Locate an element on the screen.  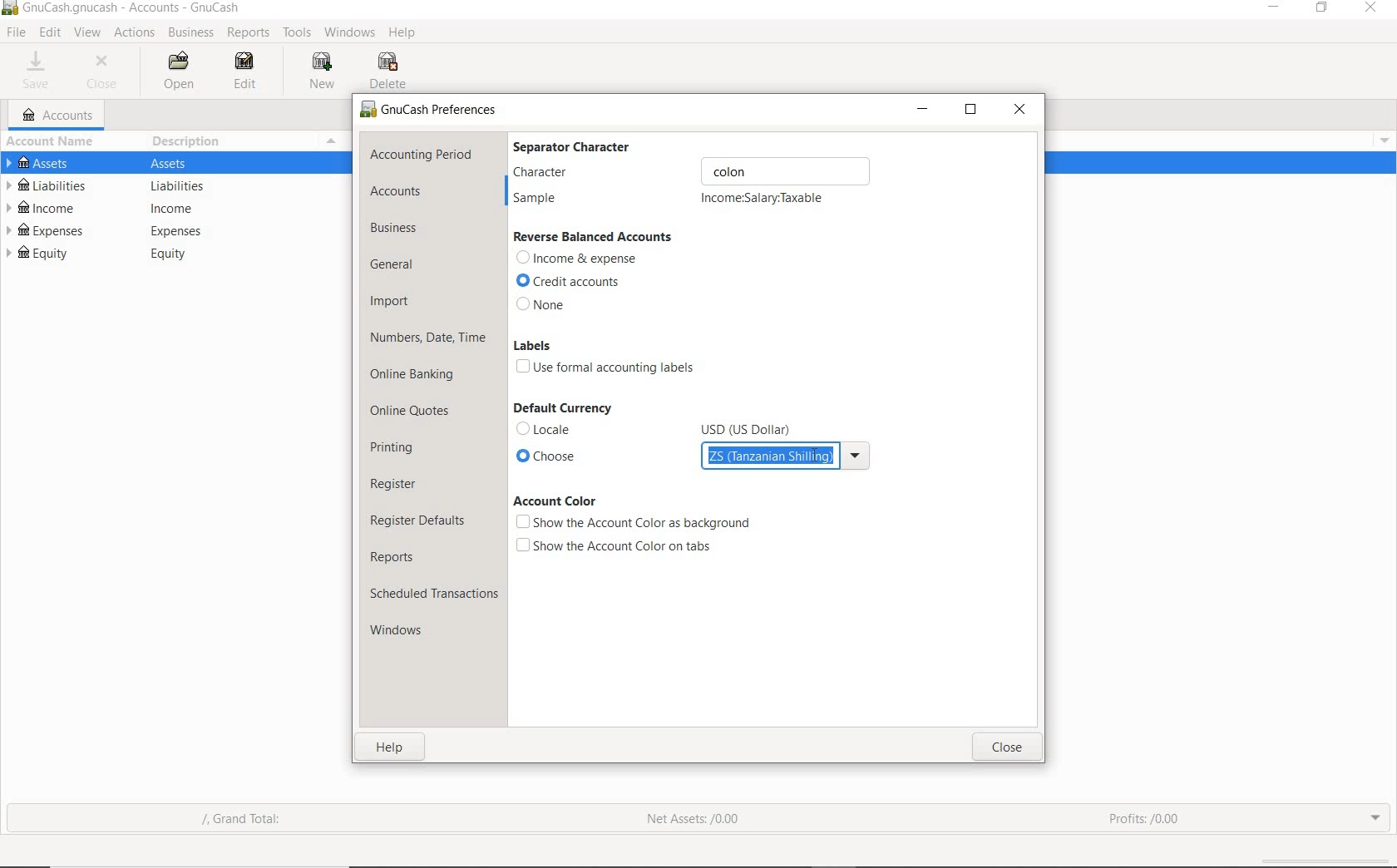
OPEN is located at coordinates (182, 72).